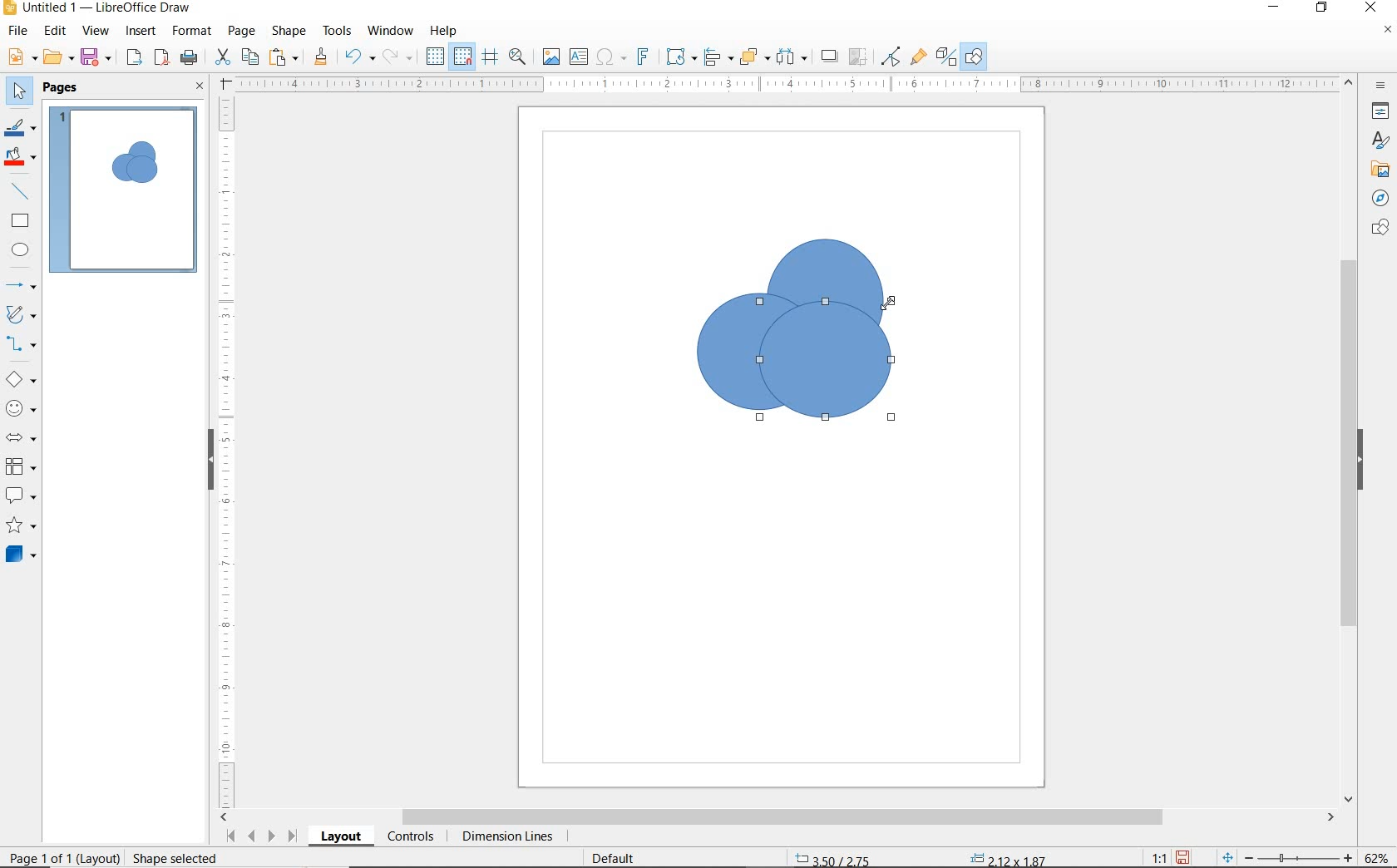 The height and width of the screenshot is (868, 1397). Describe the element at coordinates (462, 57) in the screenshot. I see `SNAP TO GRID` at that location.